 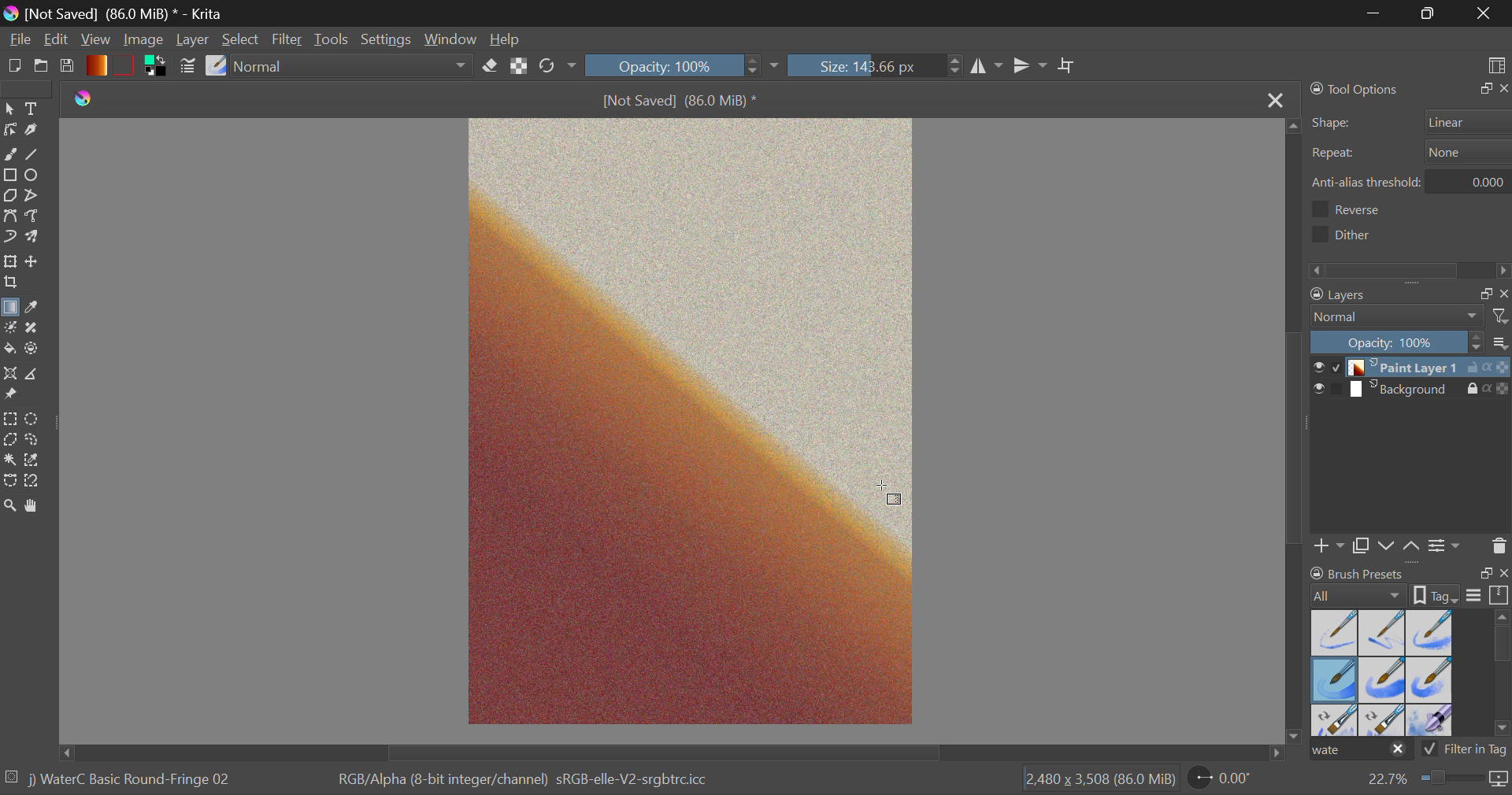 I want to click on move right, so click(x=1273, y=752).